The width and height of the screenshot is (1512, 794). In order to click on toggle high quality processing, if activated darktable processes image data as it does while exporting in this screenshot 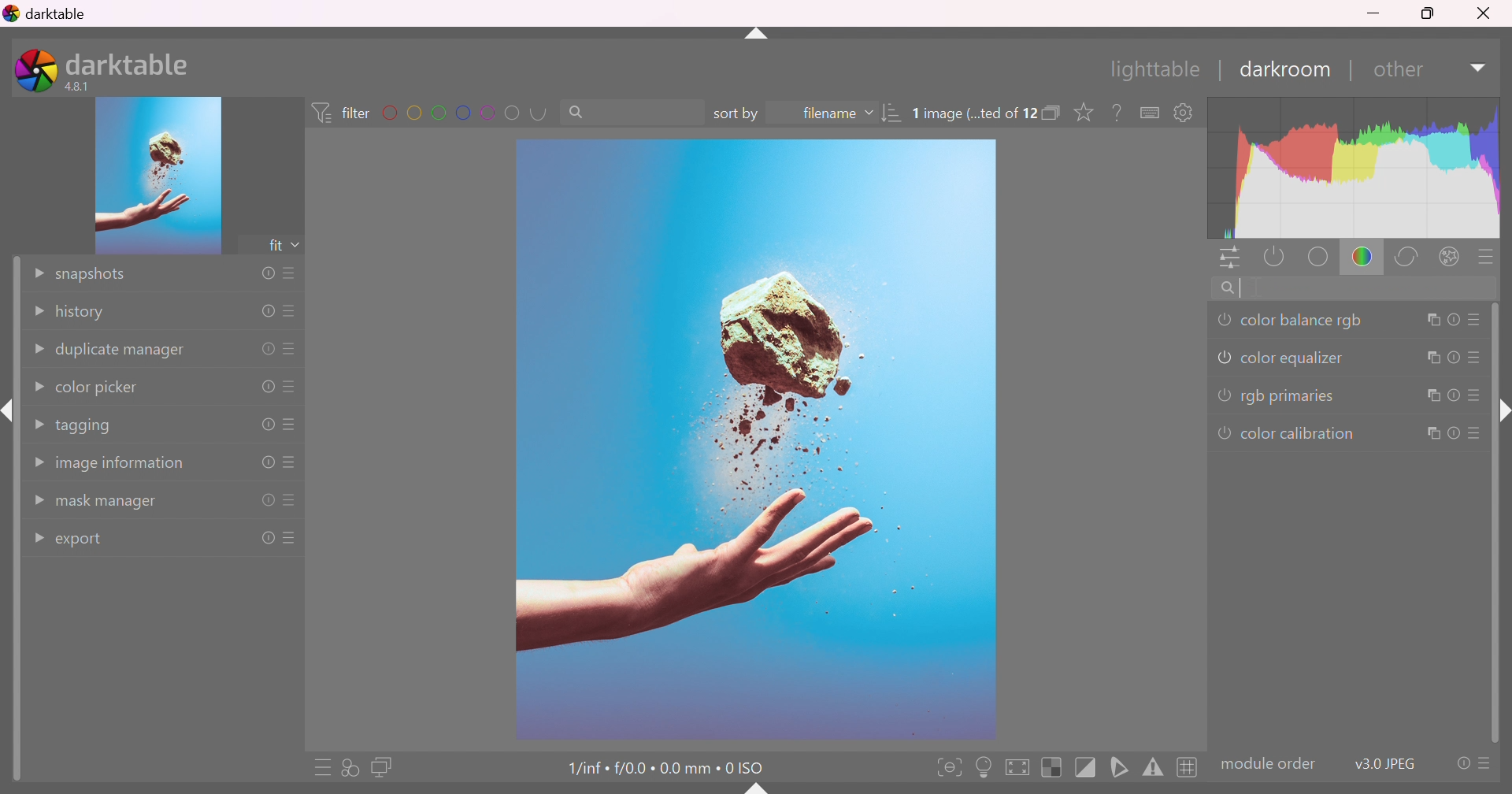, I will do `click(1019, 767)`.